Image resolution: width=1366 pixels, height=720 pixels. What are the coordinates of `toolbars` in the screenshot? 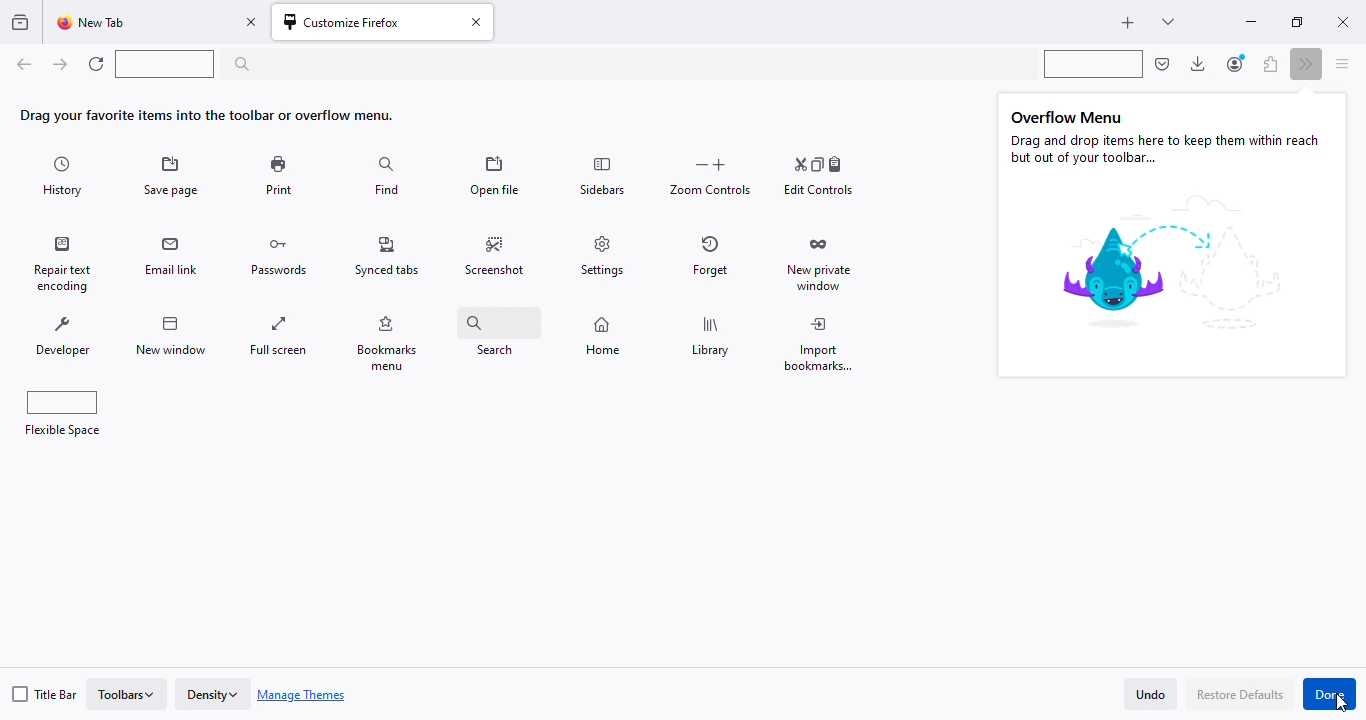 It's located at (126, 694).